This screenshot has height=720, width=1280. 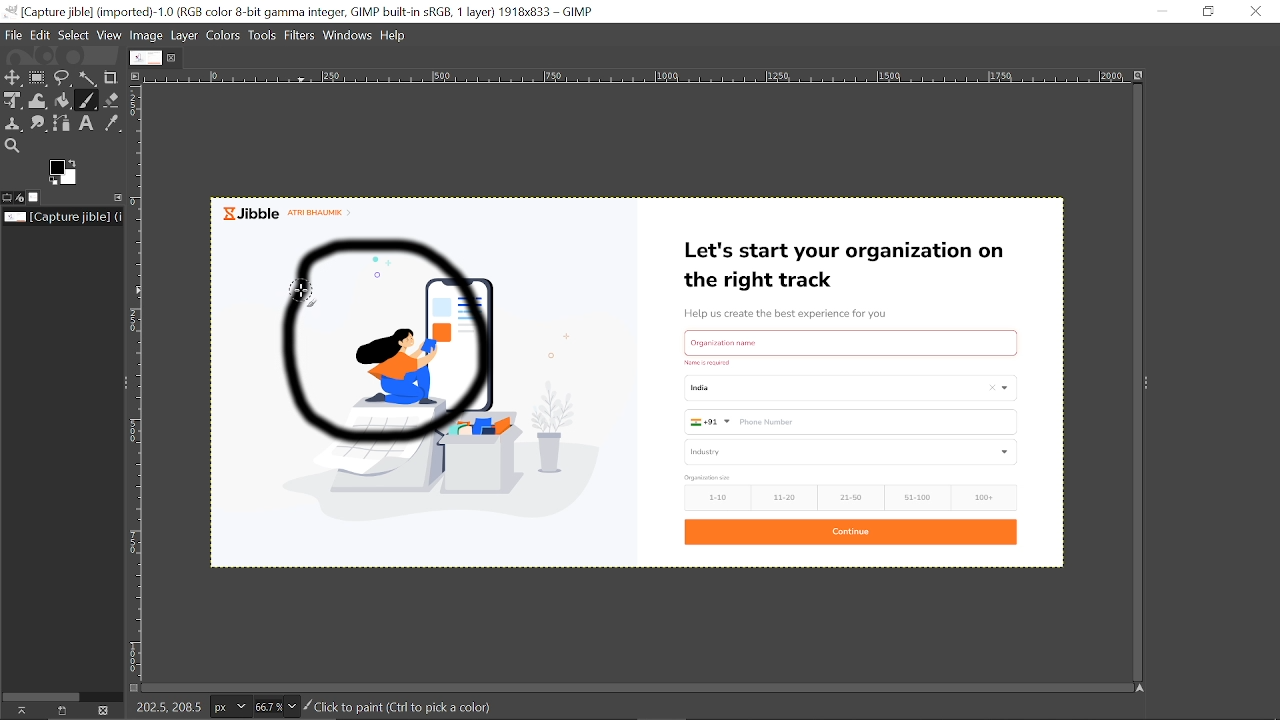 What do you see at coordinates (88, 124) in the screenshot?
I see `text tool ` at bounding box center [88, 124].